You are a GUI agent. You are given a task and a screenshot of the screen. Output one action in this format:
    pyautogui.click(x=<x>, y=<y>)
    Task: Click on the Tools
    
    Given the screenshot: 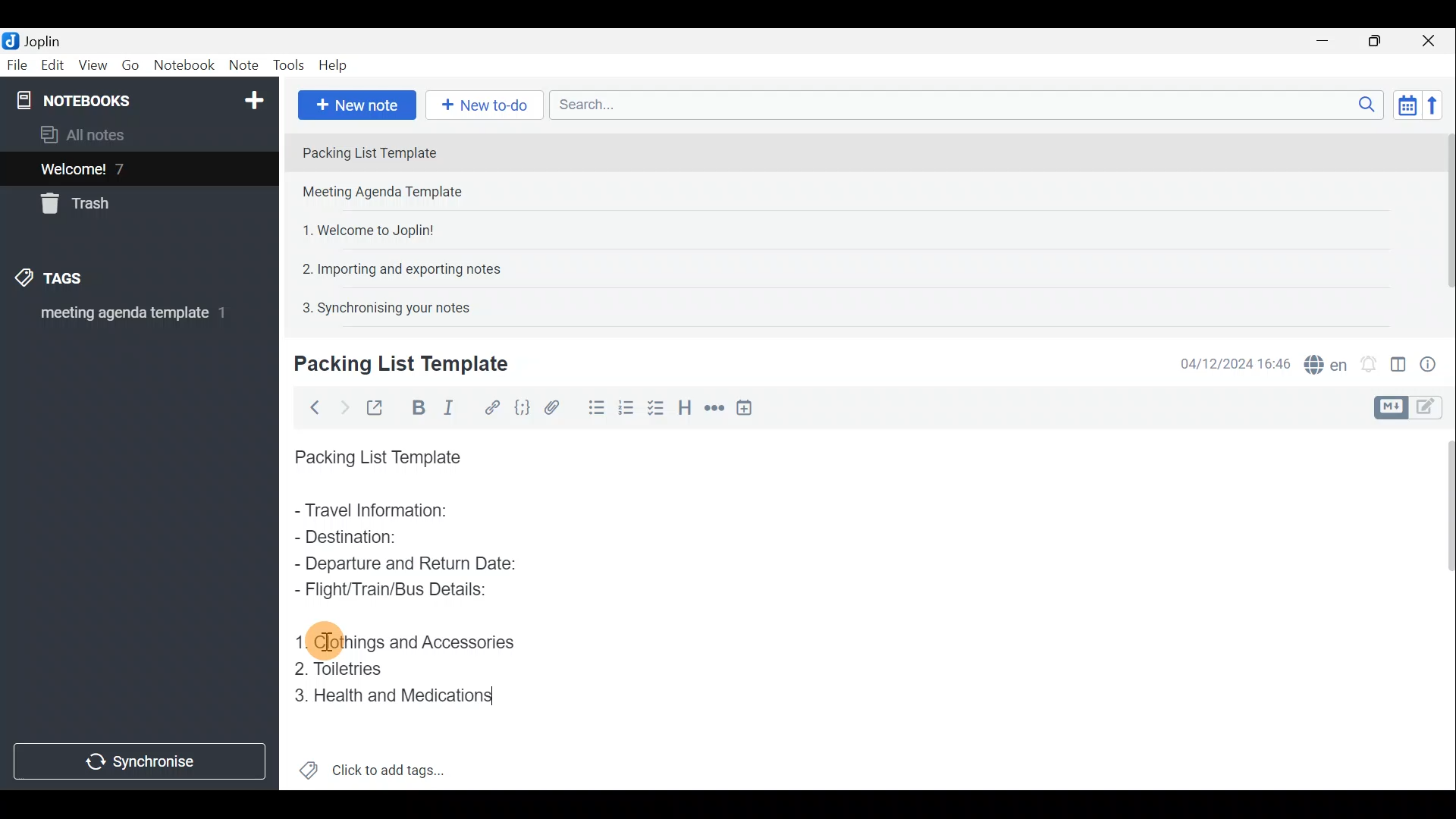 What is the action you would take?
    pyautogui.click(x=290, y=66)
    